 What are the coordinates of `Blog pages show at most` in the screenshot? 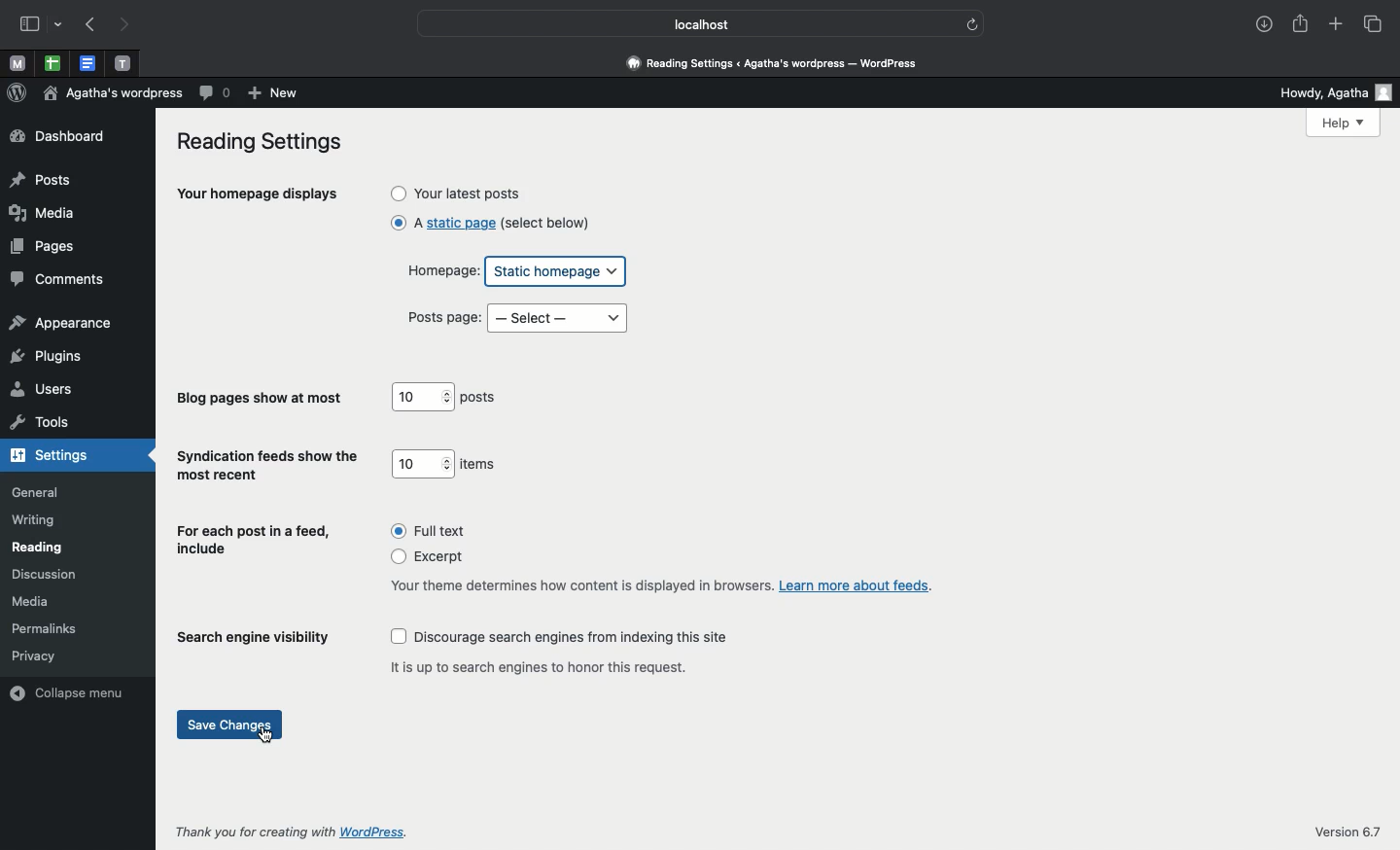 It's located at (262, 399).